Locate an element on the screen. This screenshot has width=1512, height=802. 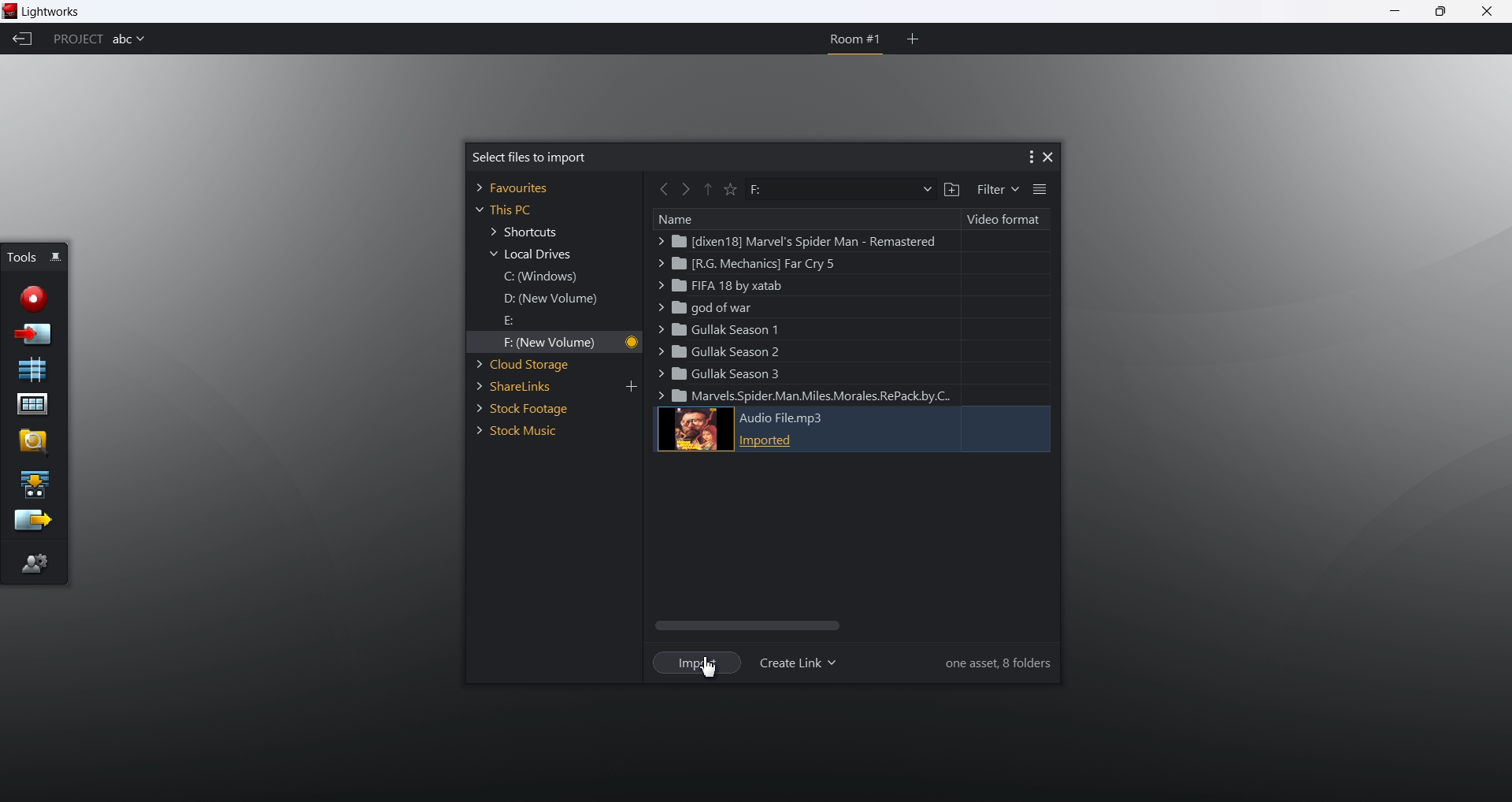
new sequence is located at coordinates (34, 369).